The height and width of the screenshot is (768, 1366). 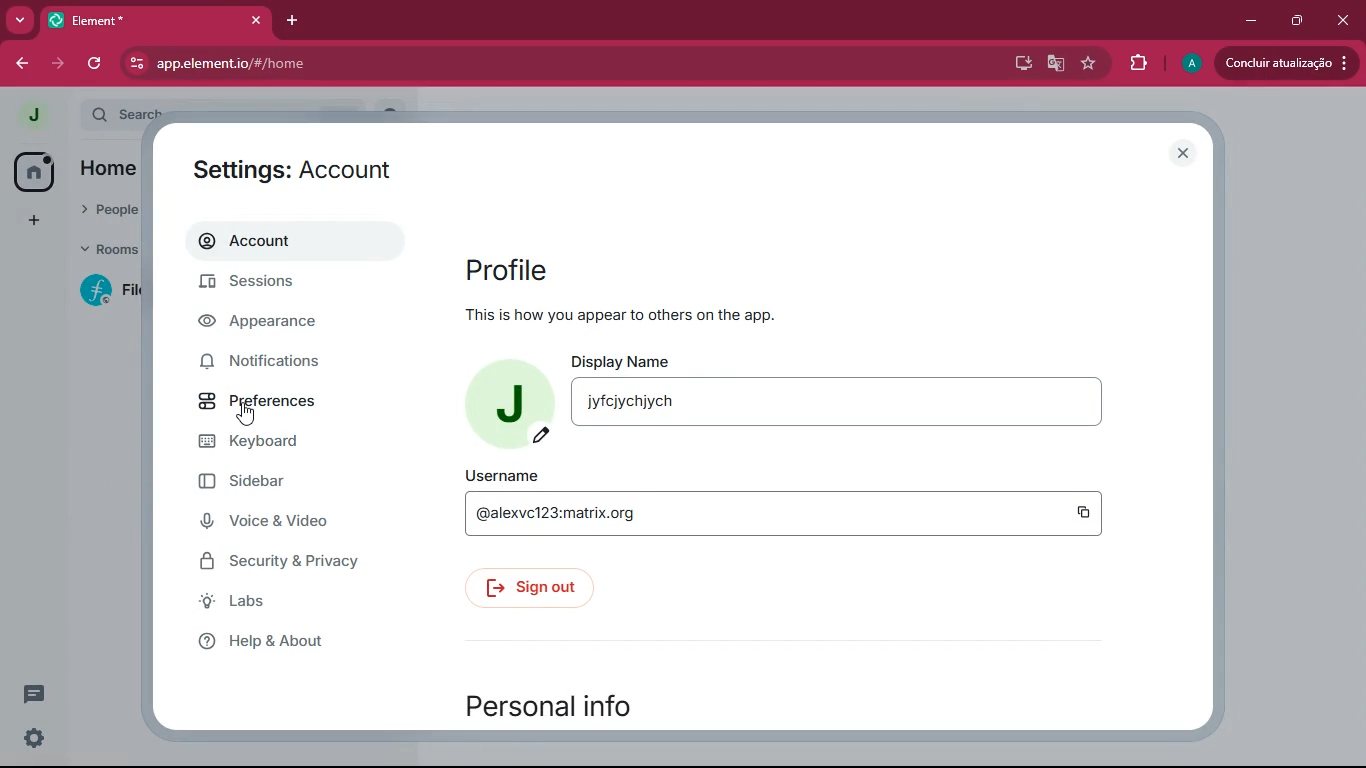 I want to click on rooms, so click(x=106, y=251).